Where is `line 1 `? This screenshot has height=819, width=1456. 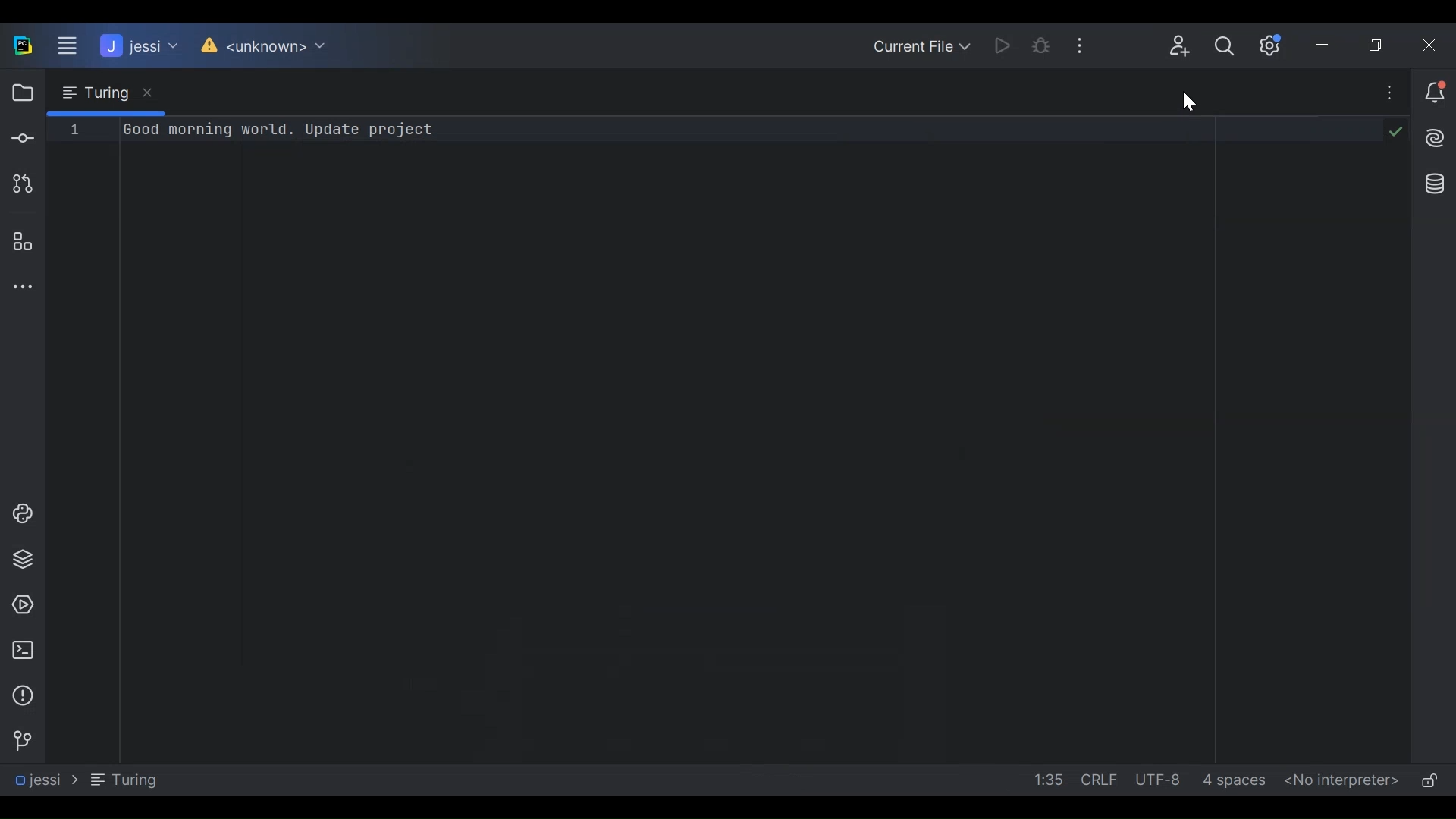 line 1  is located at coordinates (74, 130).